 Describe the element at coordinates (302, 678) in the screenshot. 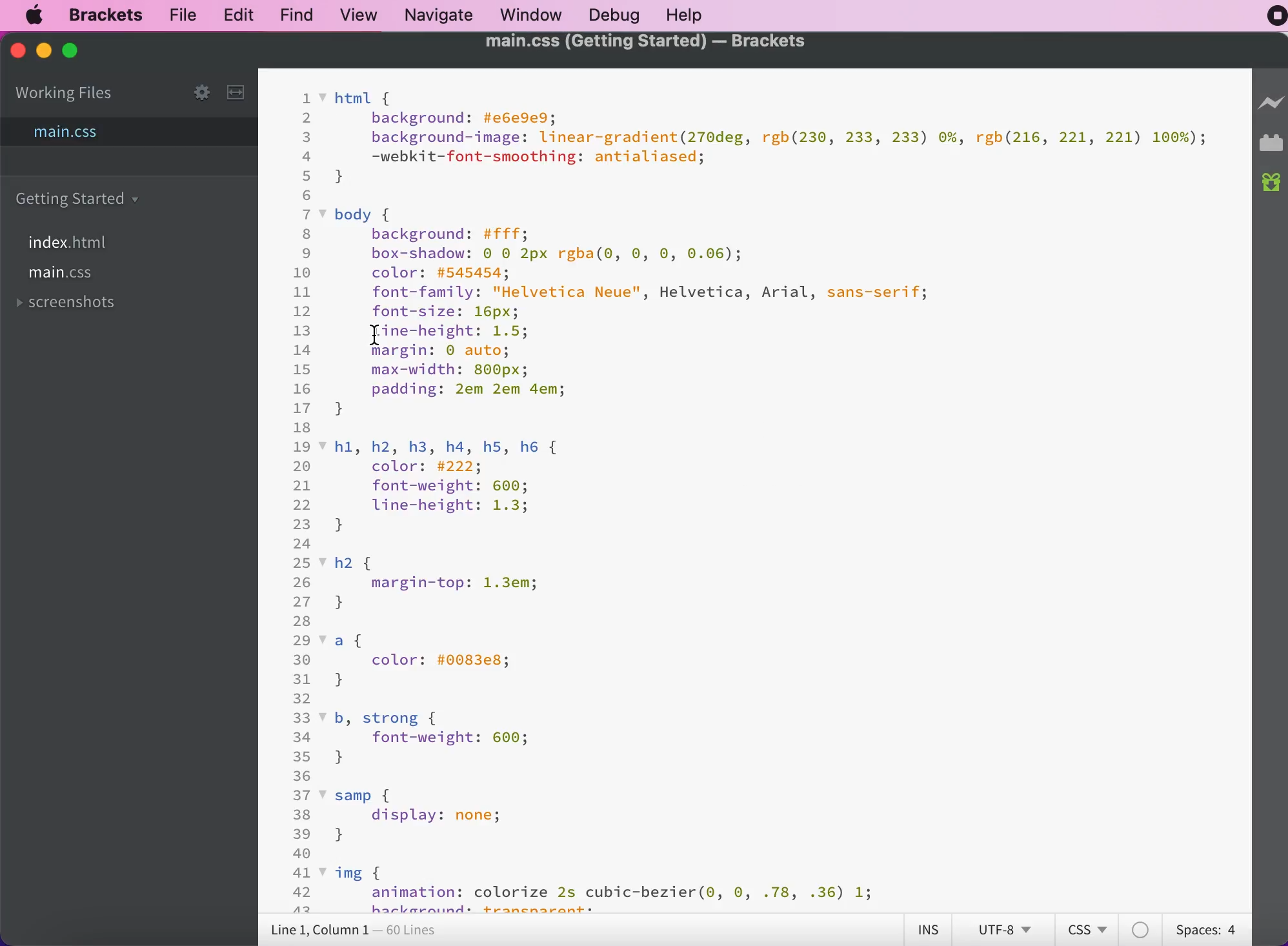

I see `31` at that location.